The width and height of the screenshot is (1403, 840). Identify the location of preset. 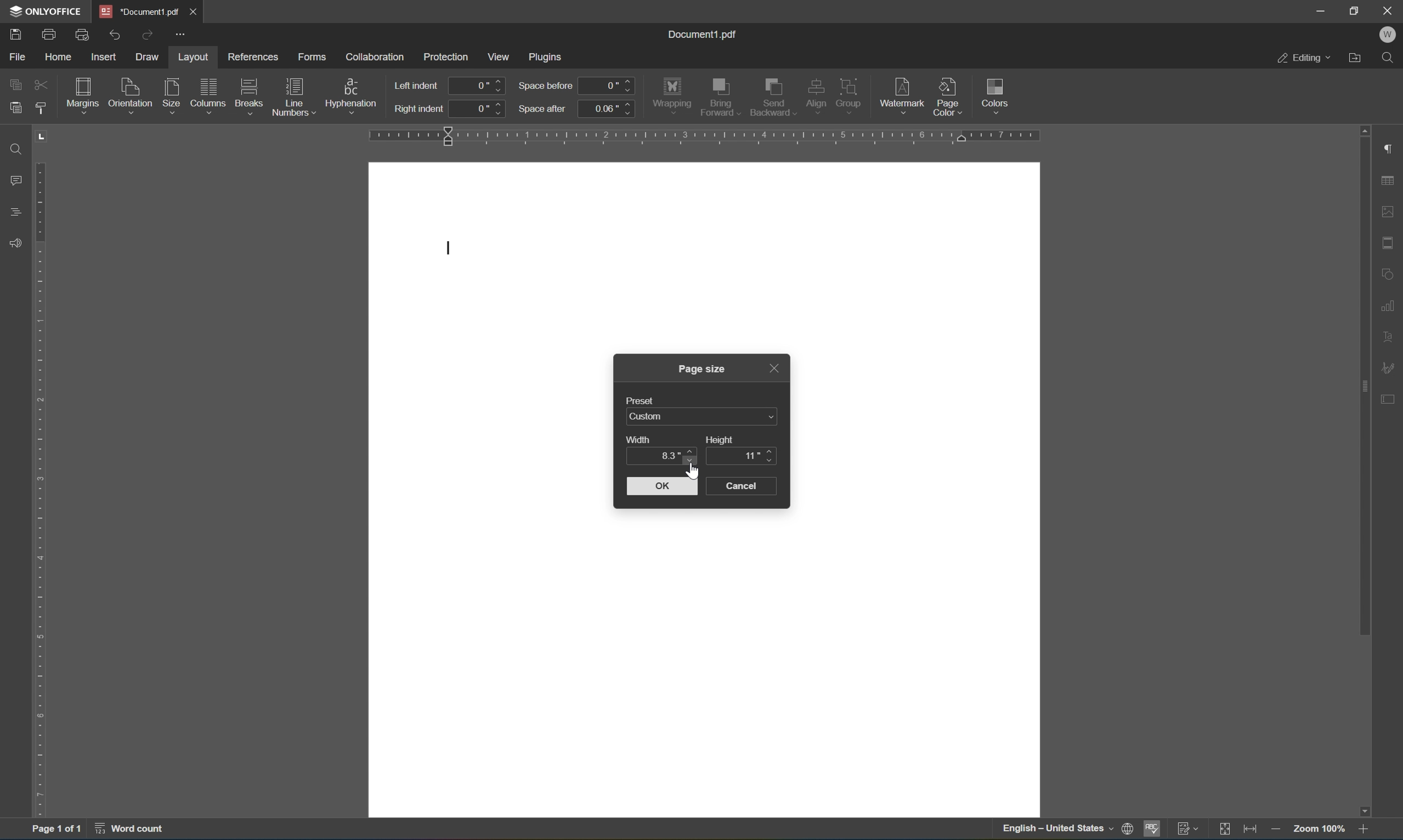
(643, 398).